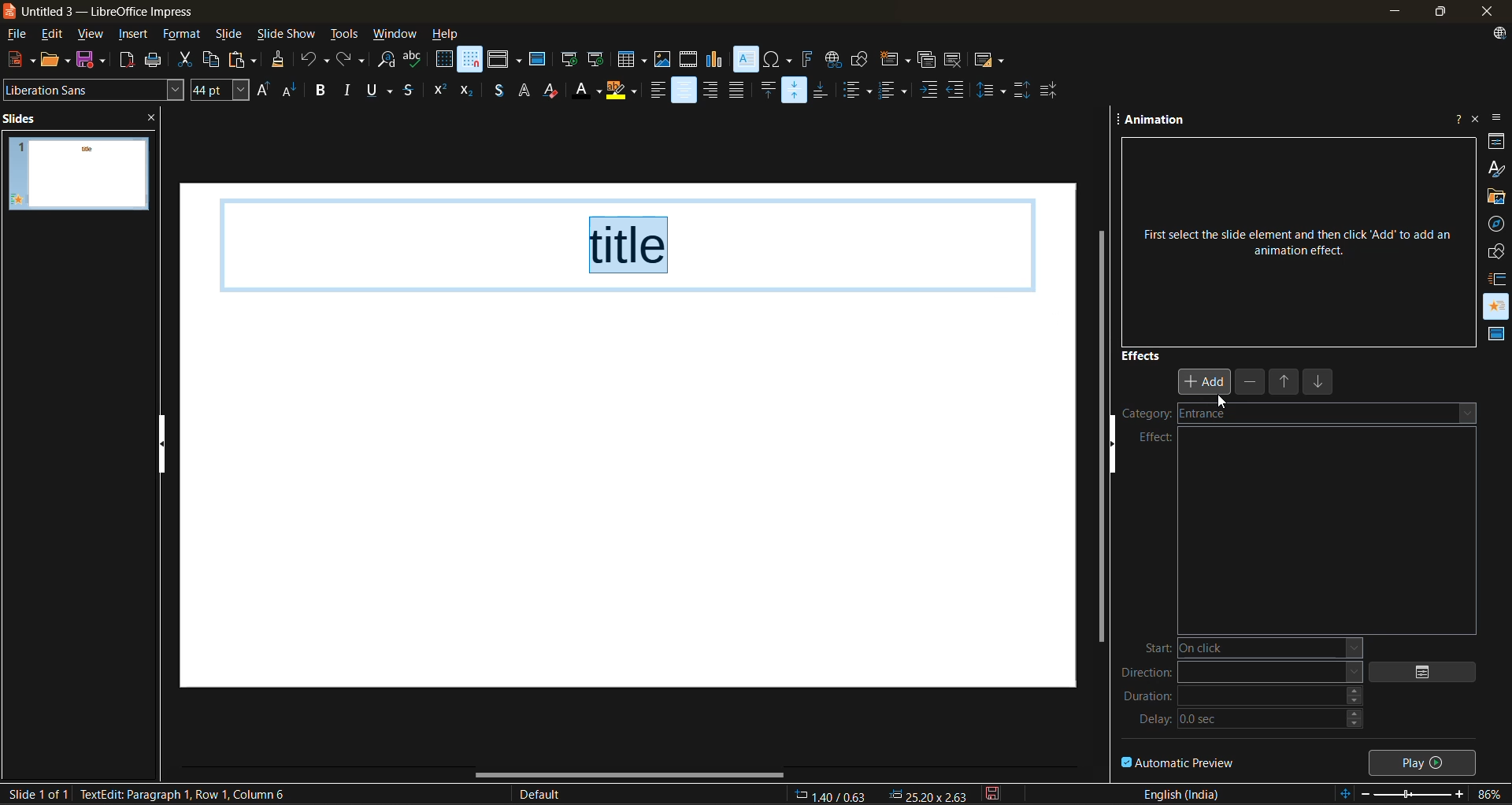  Describe the element at coordinates (739, 89) in the screenshot. I see `justified` at that location.